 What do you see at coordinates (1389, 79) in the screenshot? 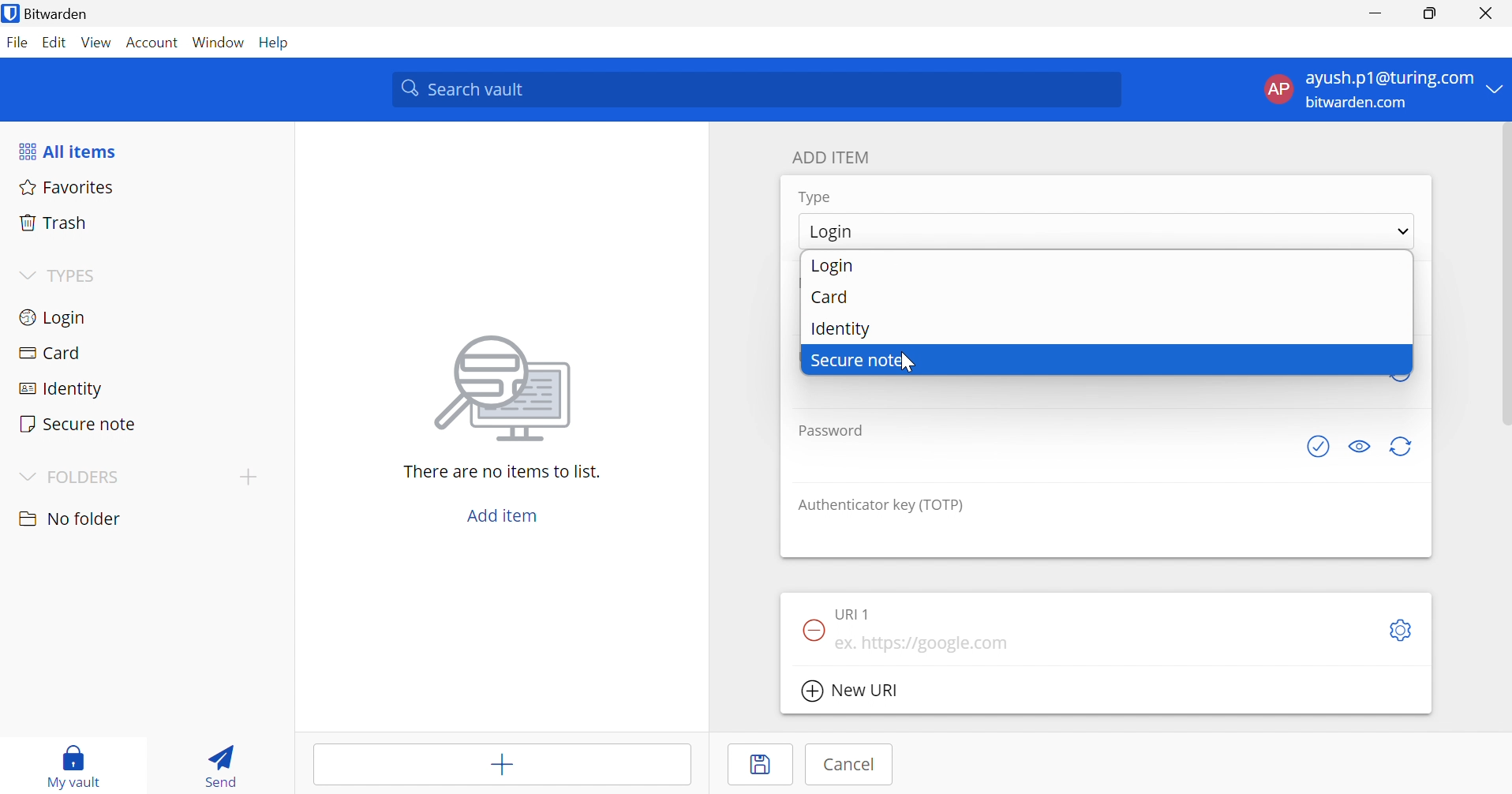
I see `ayush.p1@turing.com` at bounding box center [1389, 79].